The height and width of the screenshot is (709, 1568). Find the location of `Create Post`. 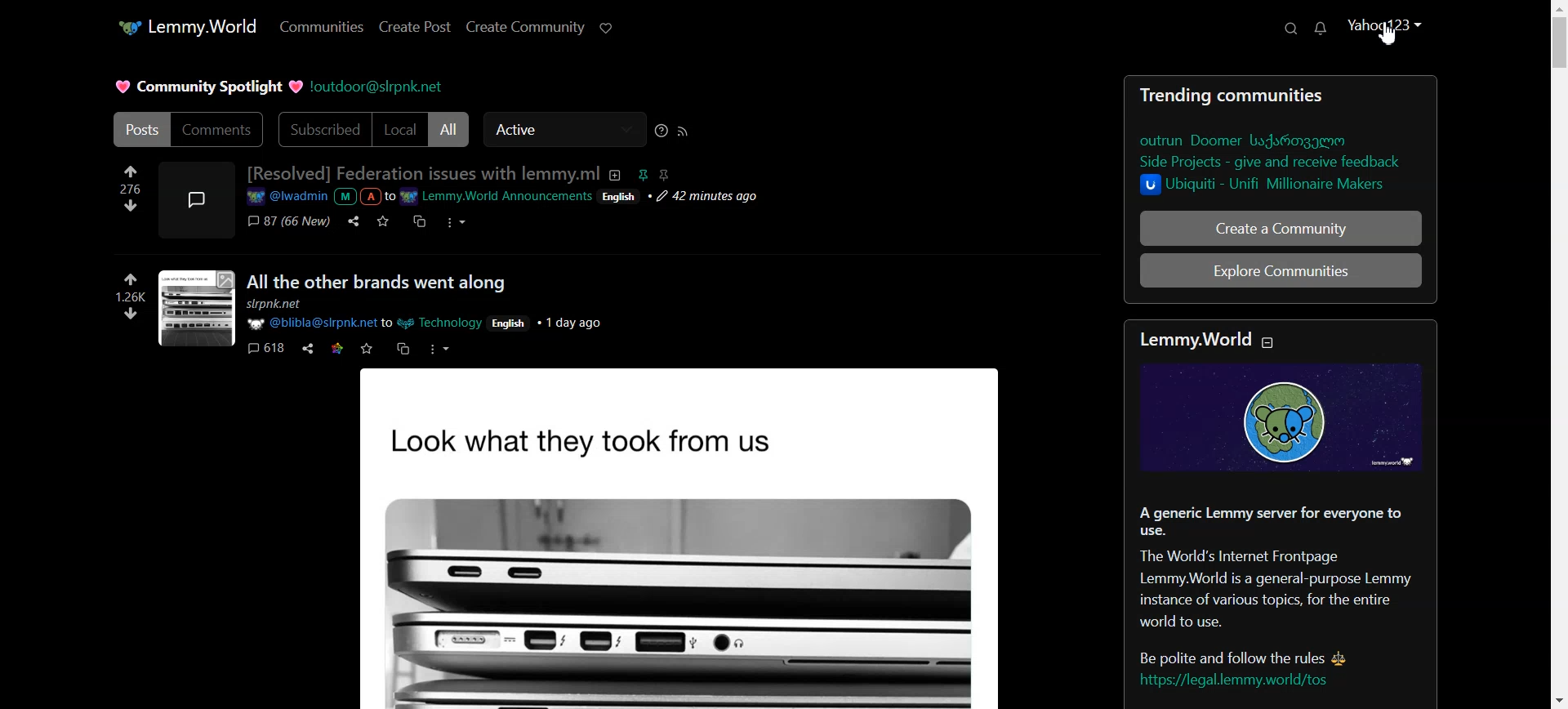

Create Post is located at coordinates (415, 28).